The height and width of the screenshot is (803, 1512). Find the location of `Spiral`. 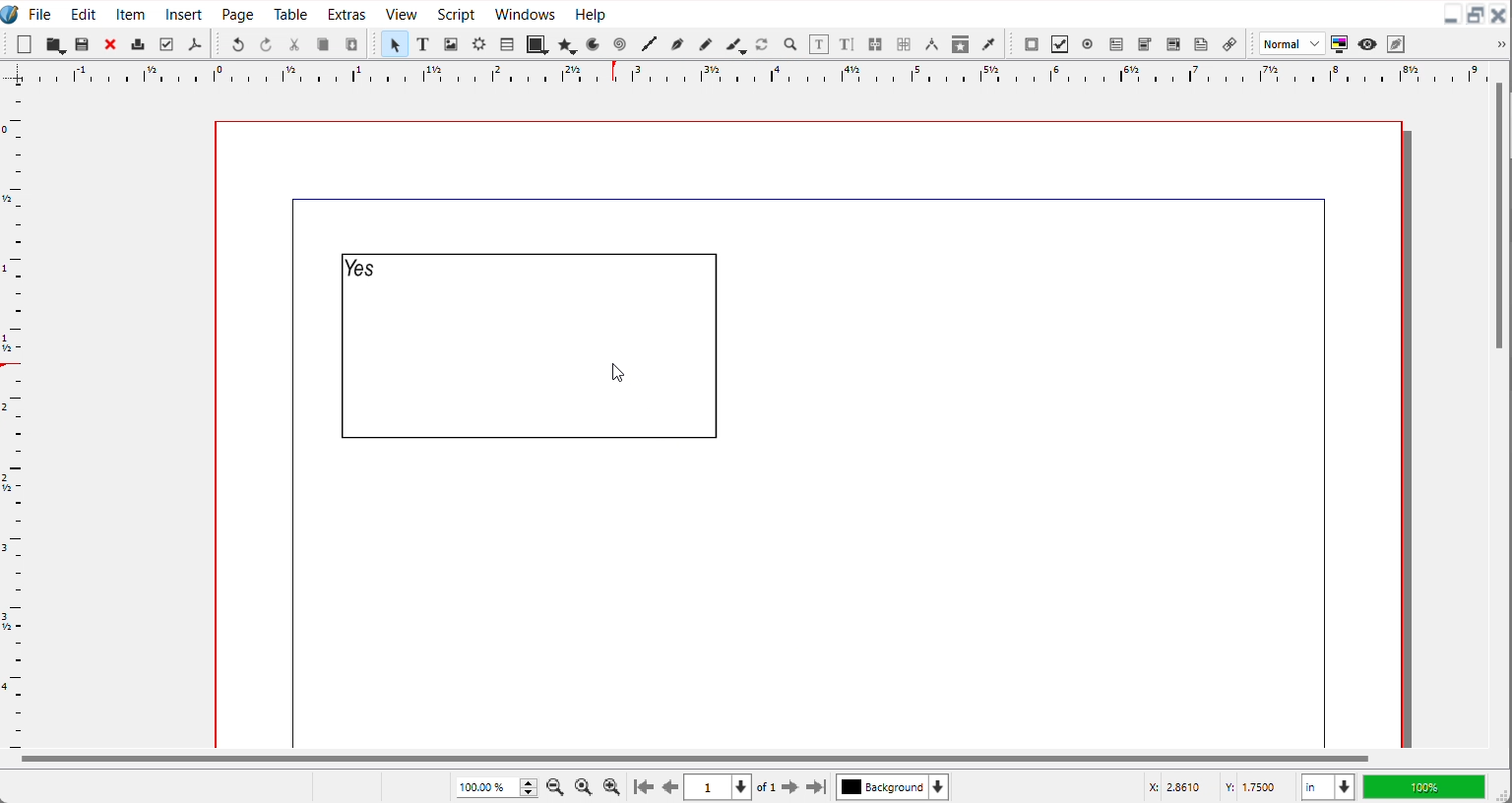

Spiral is located at coordinates (618, 44).